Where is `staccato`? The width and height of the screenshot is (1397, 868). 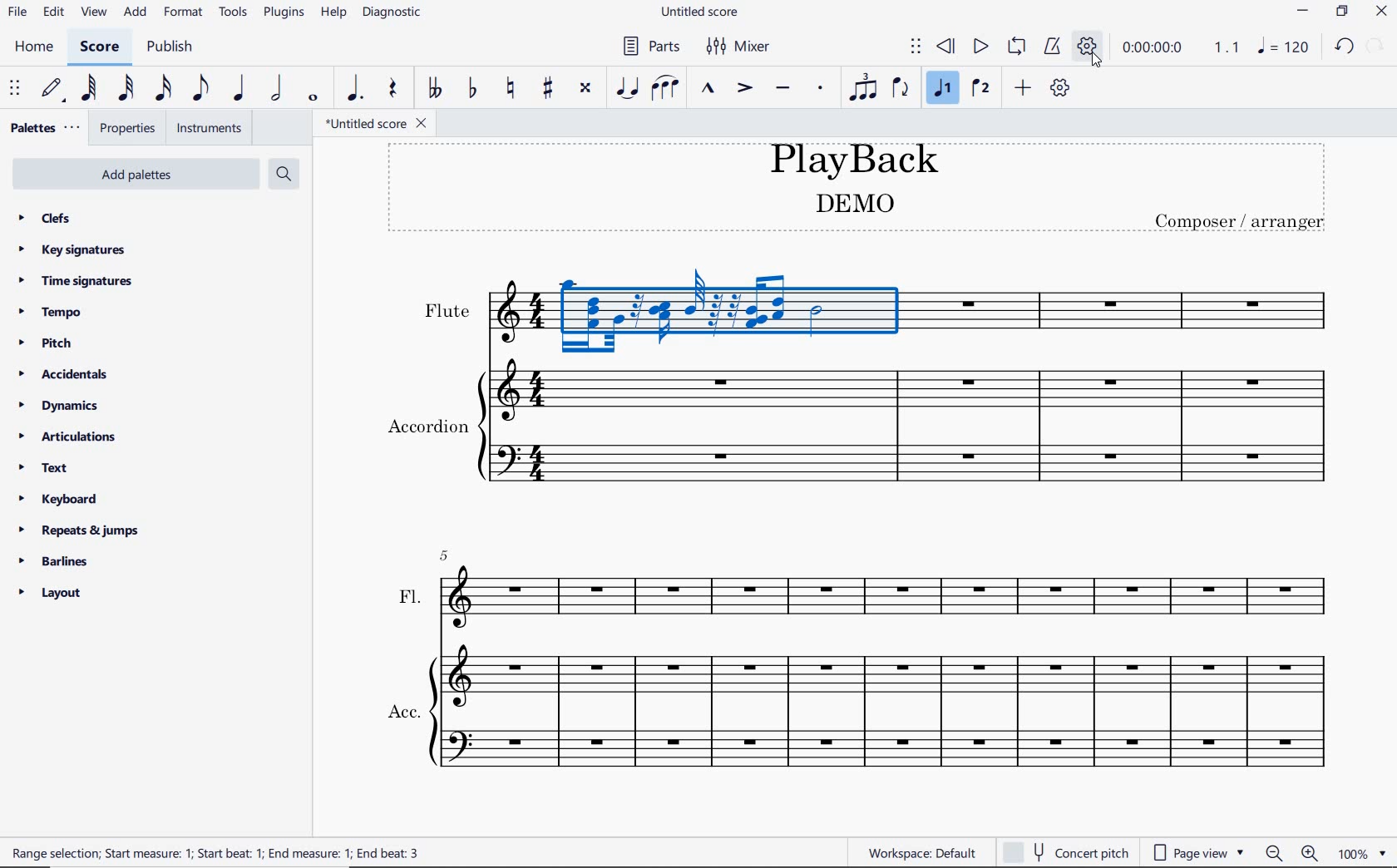
staccato is located at coordinates (821, 87).